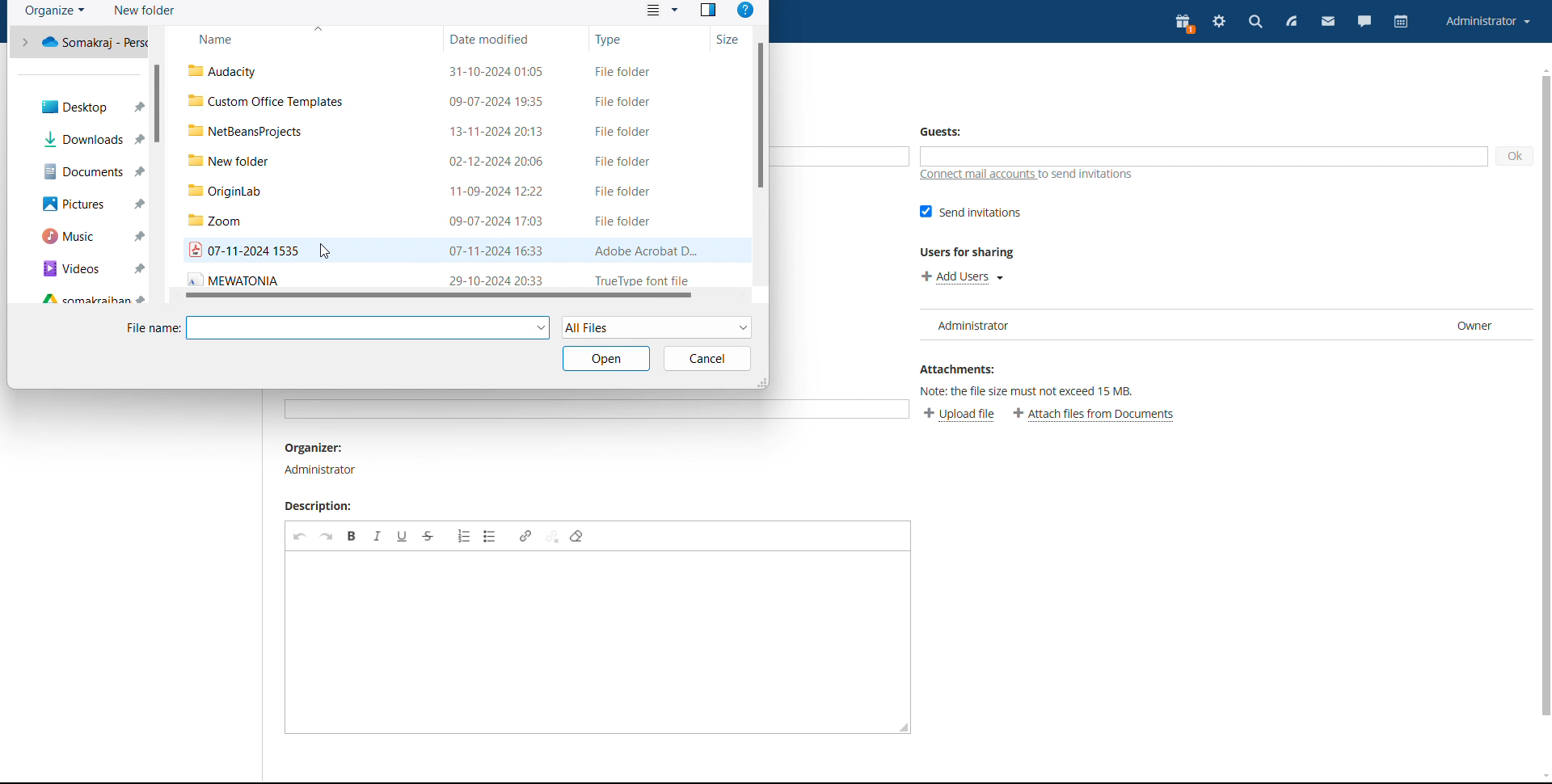 This screenshot has width=1552, height=784. I want to click on Guests, so click(943, 131).